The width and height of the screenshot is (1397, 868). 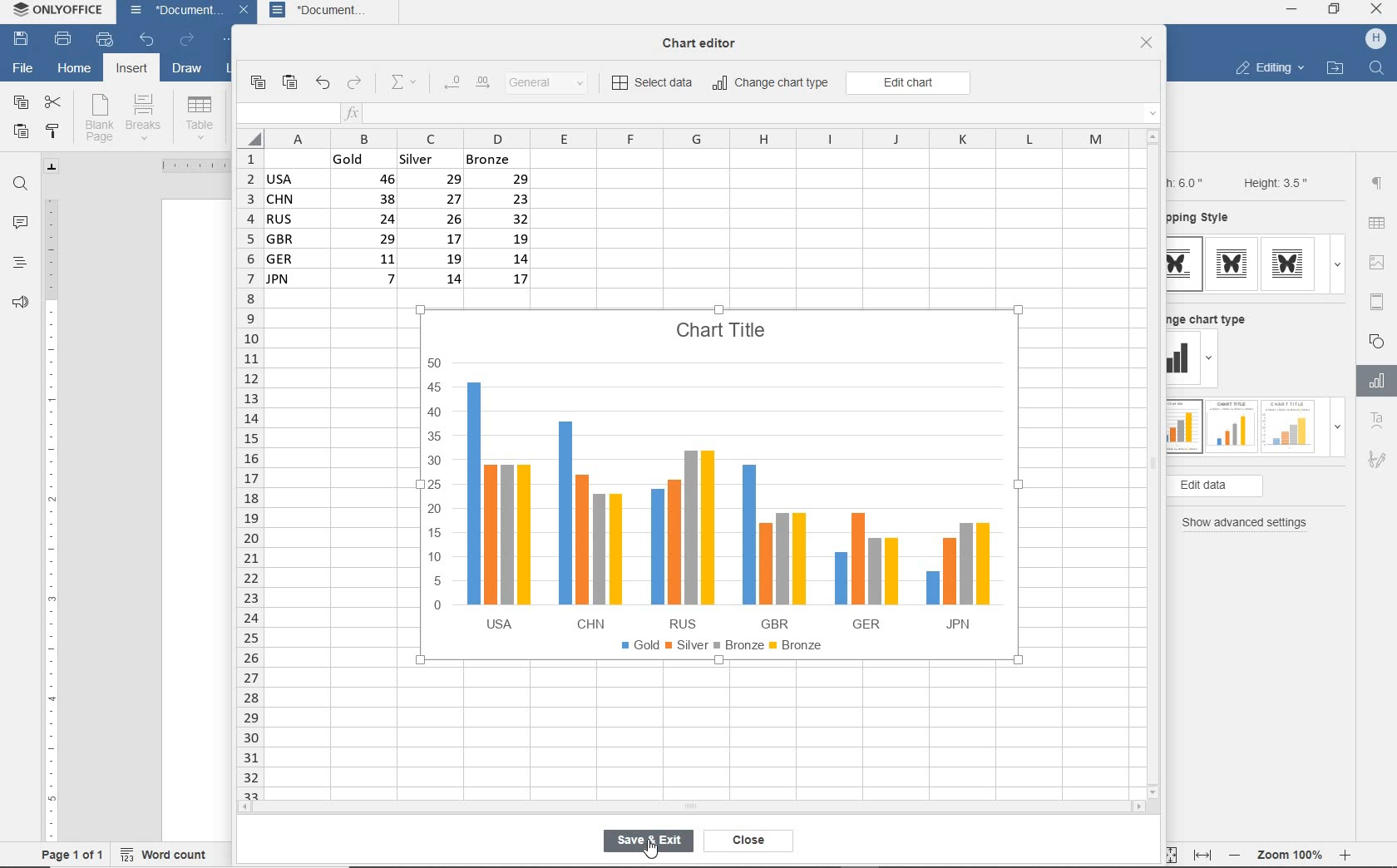 What do you see at coordinates (18, 264) in the screenshot?
I see `headings` at bounding box center [18, 264].